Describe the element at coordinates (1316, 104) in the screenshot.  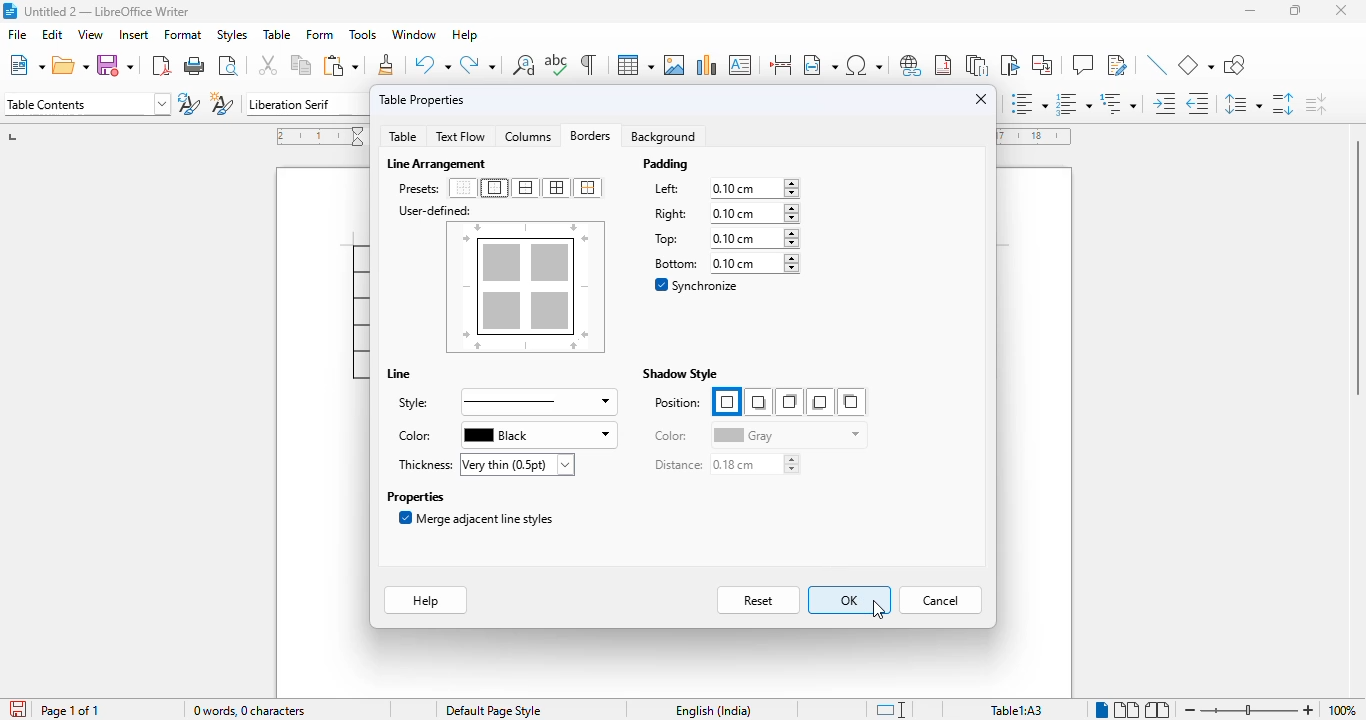
I see `decrease paragraph spacing` at that location.